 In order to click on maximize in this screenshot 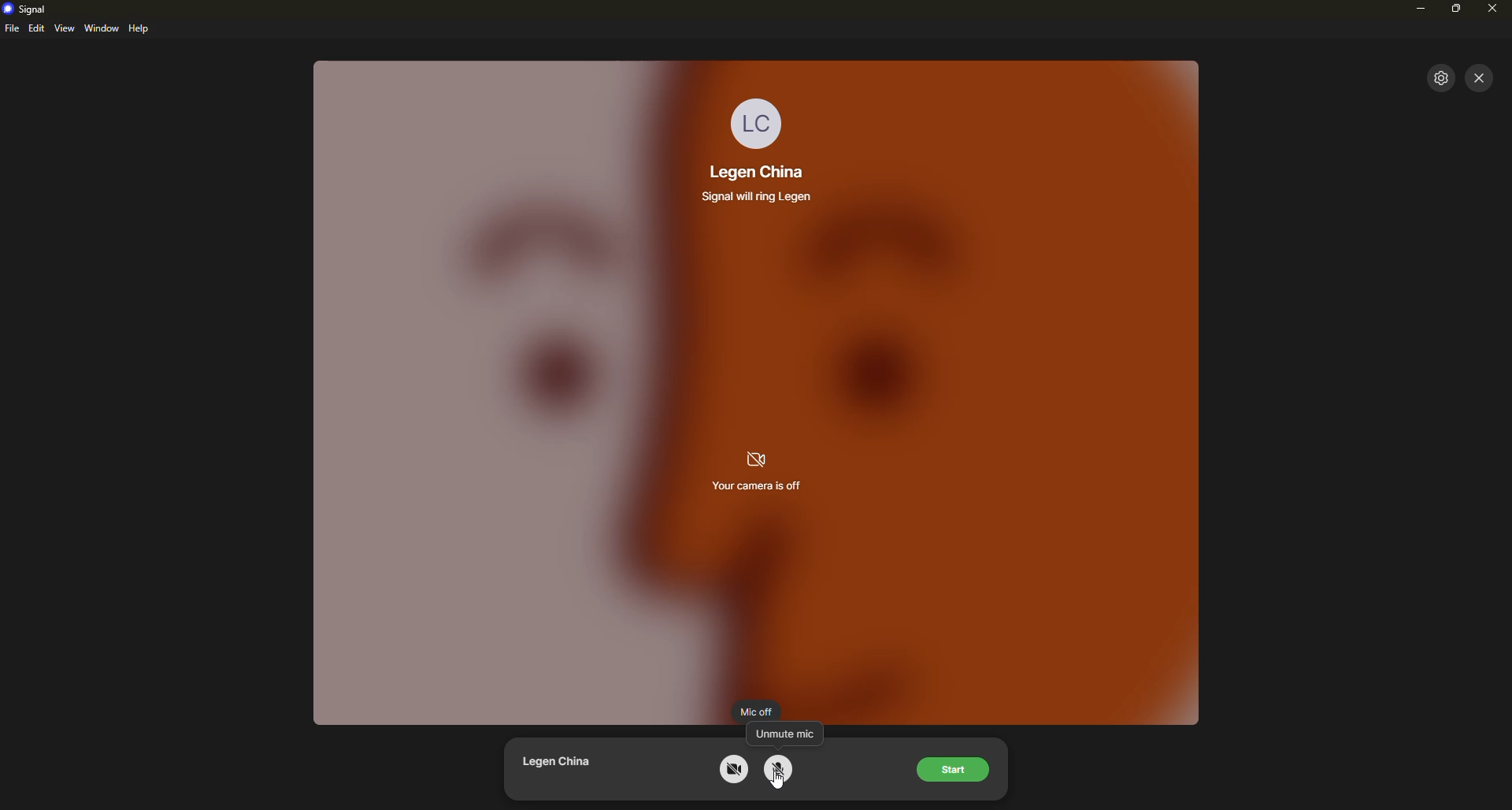, I will do `click(1457, 11)`.